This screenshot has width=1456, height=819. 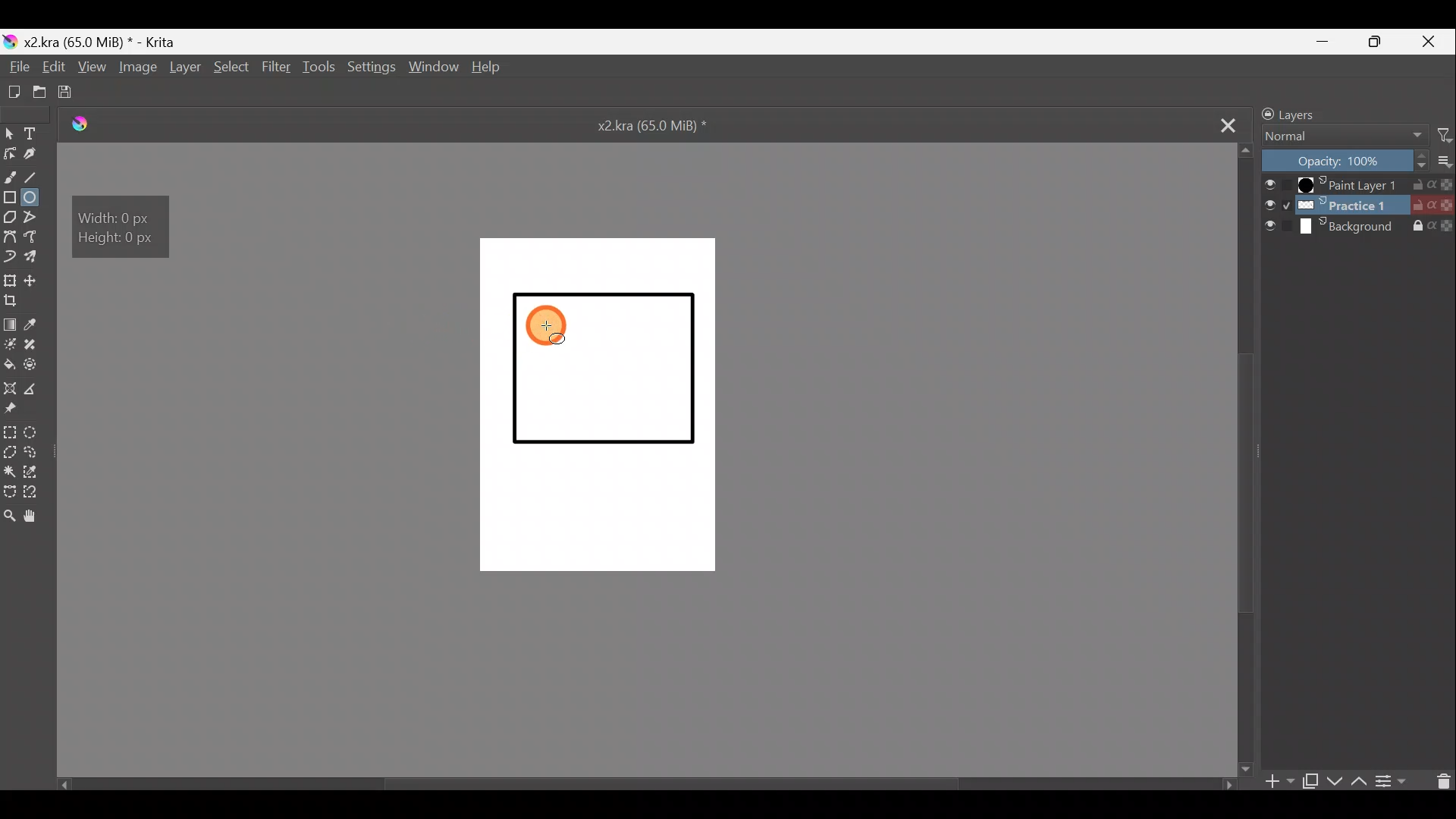 I want to click on Opacity: 100%, so click(x=1339, y=160).